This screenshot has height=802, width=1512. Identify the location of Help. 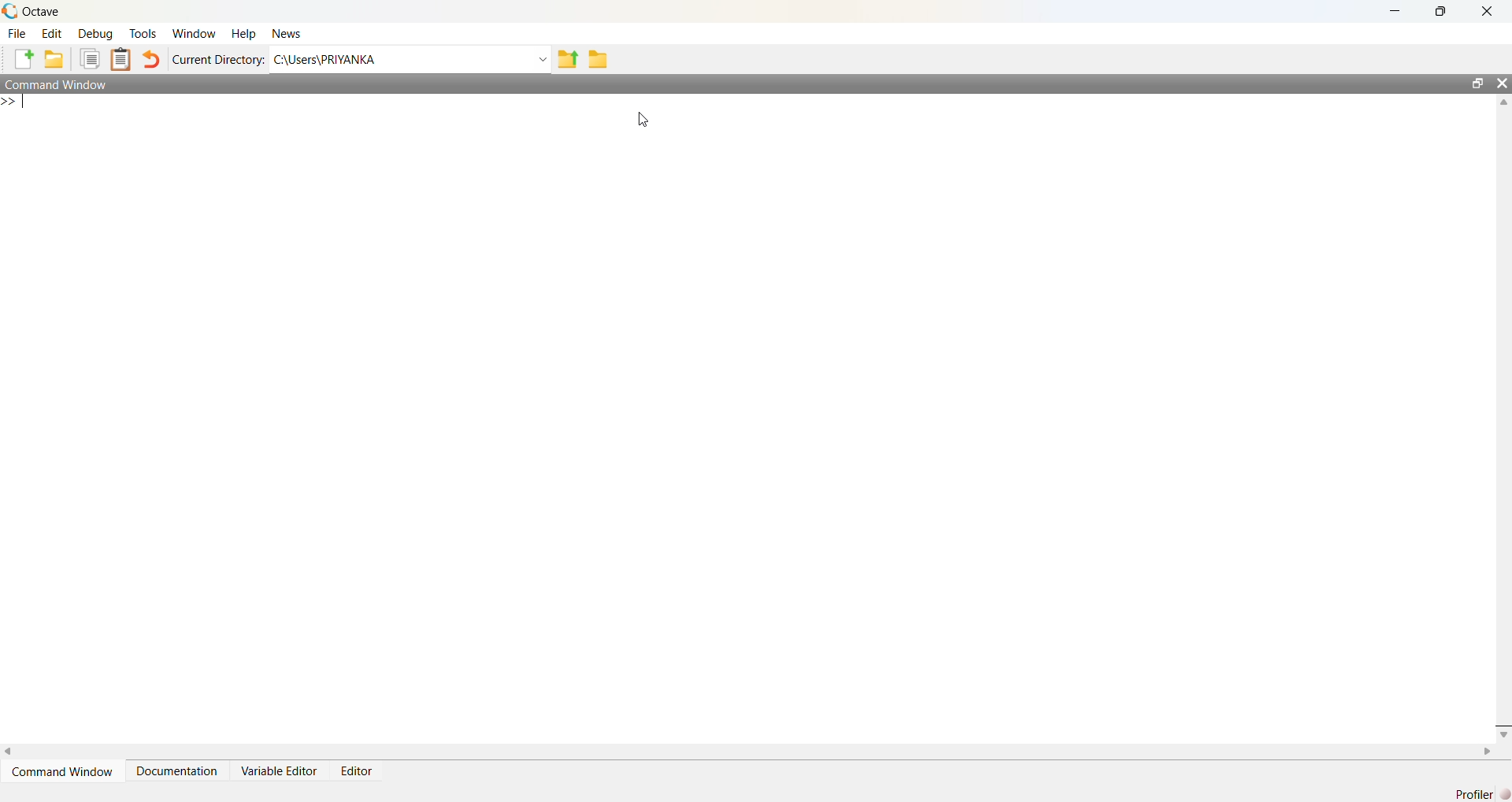
(244, 32).